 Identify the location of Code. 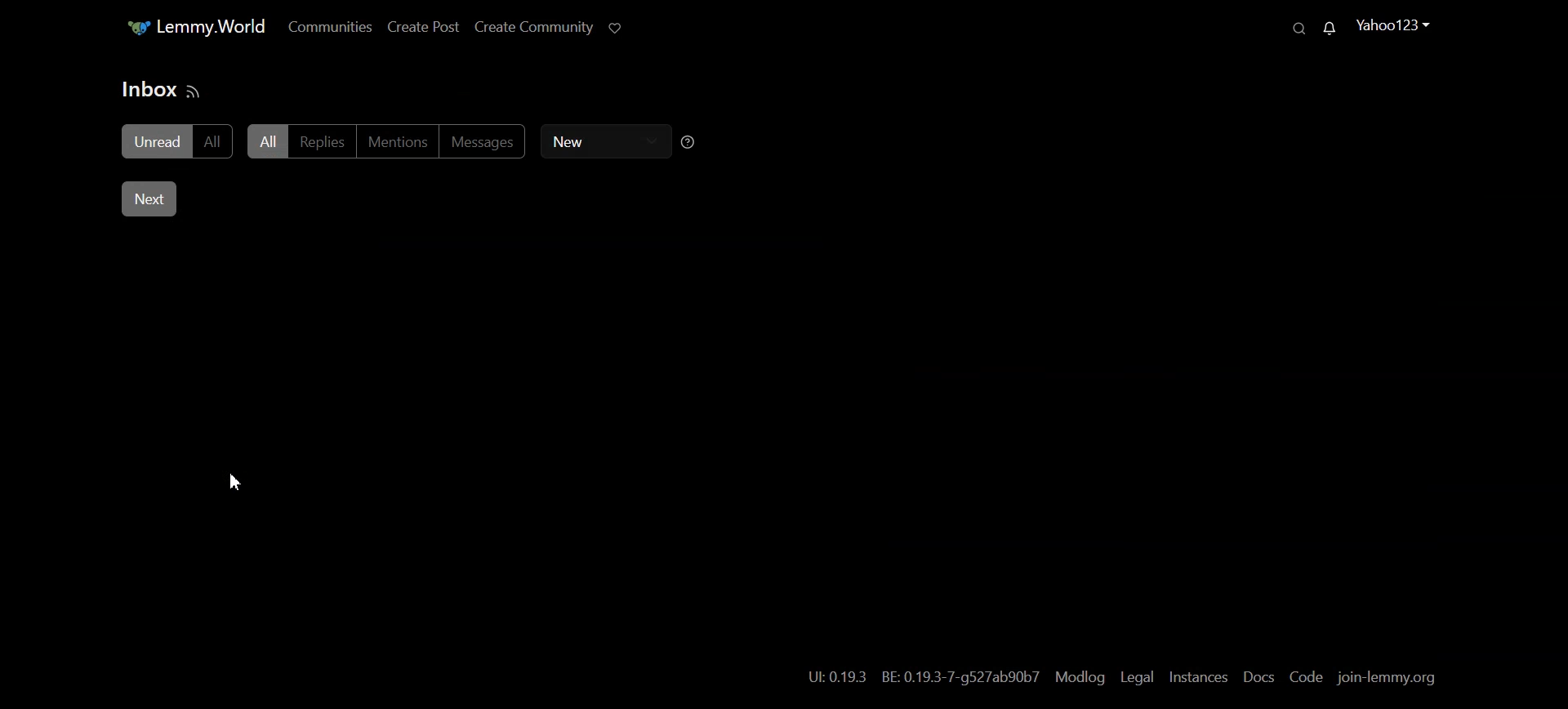
(1304, 678).